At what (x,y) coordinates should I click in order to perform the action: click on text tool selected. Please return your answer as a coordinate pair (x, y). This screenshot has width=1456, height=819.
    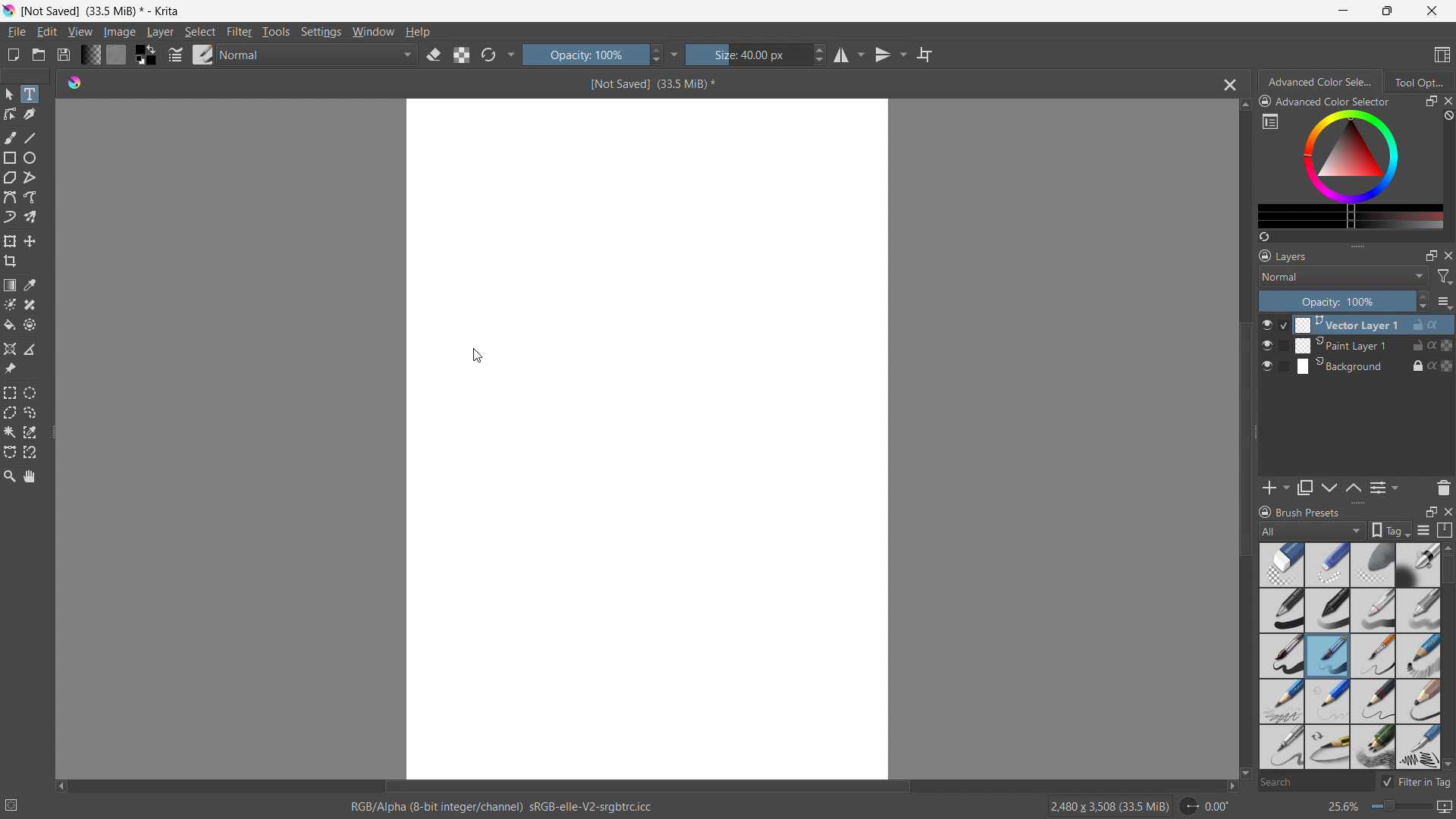
    Looking at the image, I should click on (29, 94).